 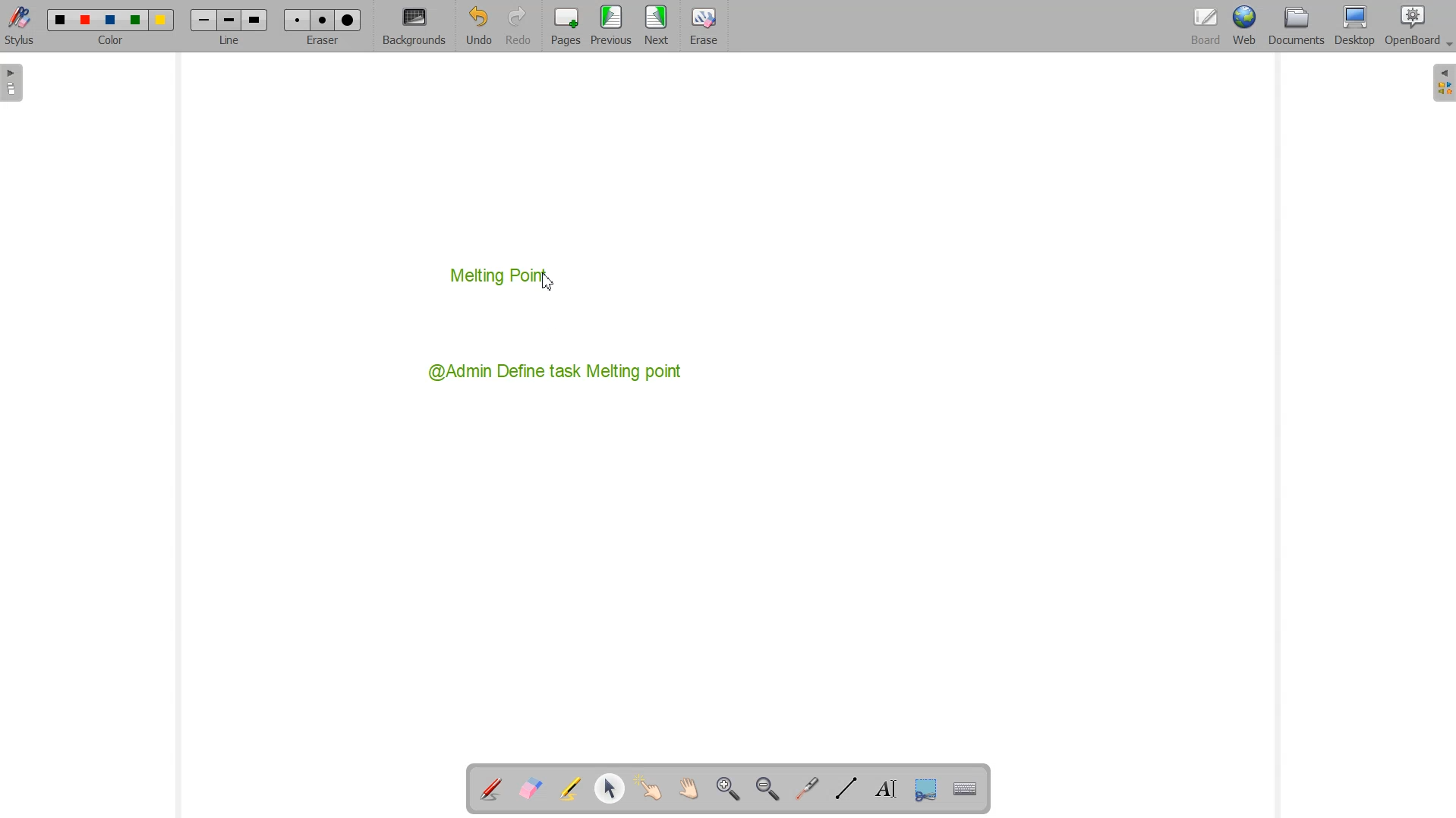 What do you see at coordinates (320, 26) in the screenshot?
I see `Eraser` at bounding box center [320, 26].